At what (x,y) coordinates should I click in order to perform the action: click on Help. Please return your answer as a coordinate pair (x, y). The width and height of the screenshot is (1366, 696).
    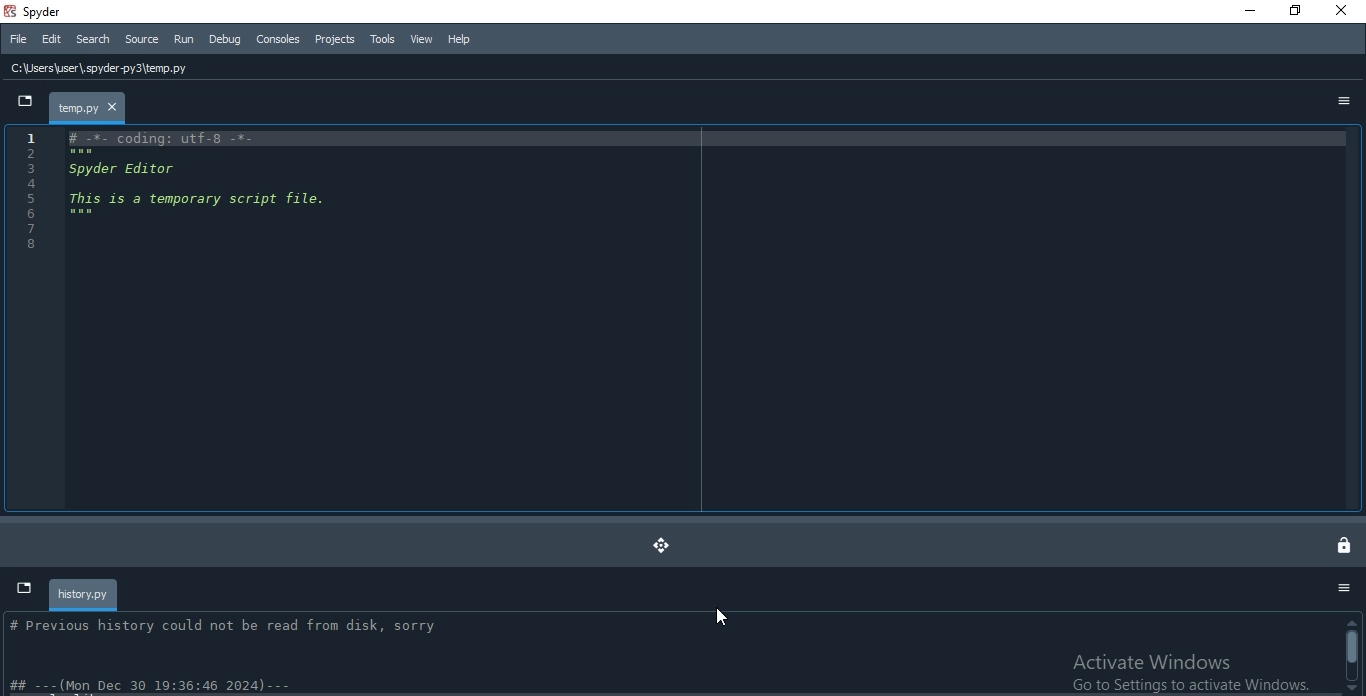
    Looking at the image, I should click on (460, 39).